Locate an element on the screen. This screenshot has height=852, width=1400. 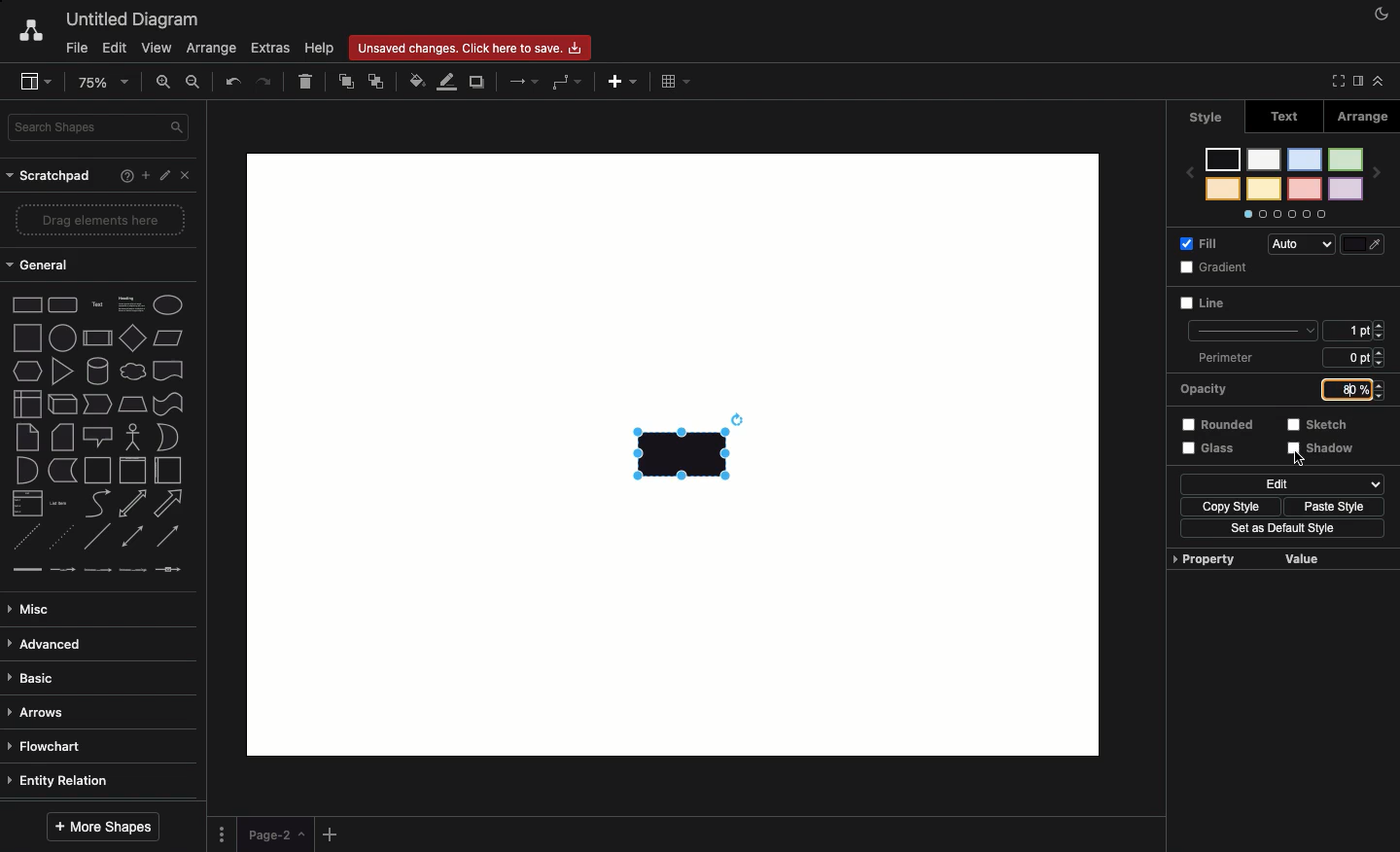
Options is located at coordinates (224, 835).